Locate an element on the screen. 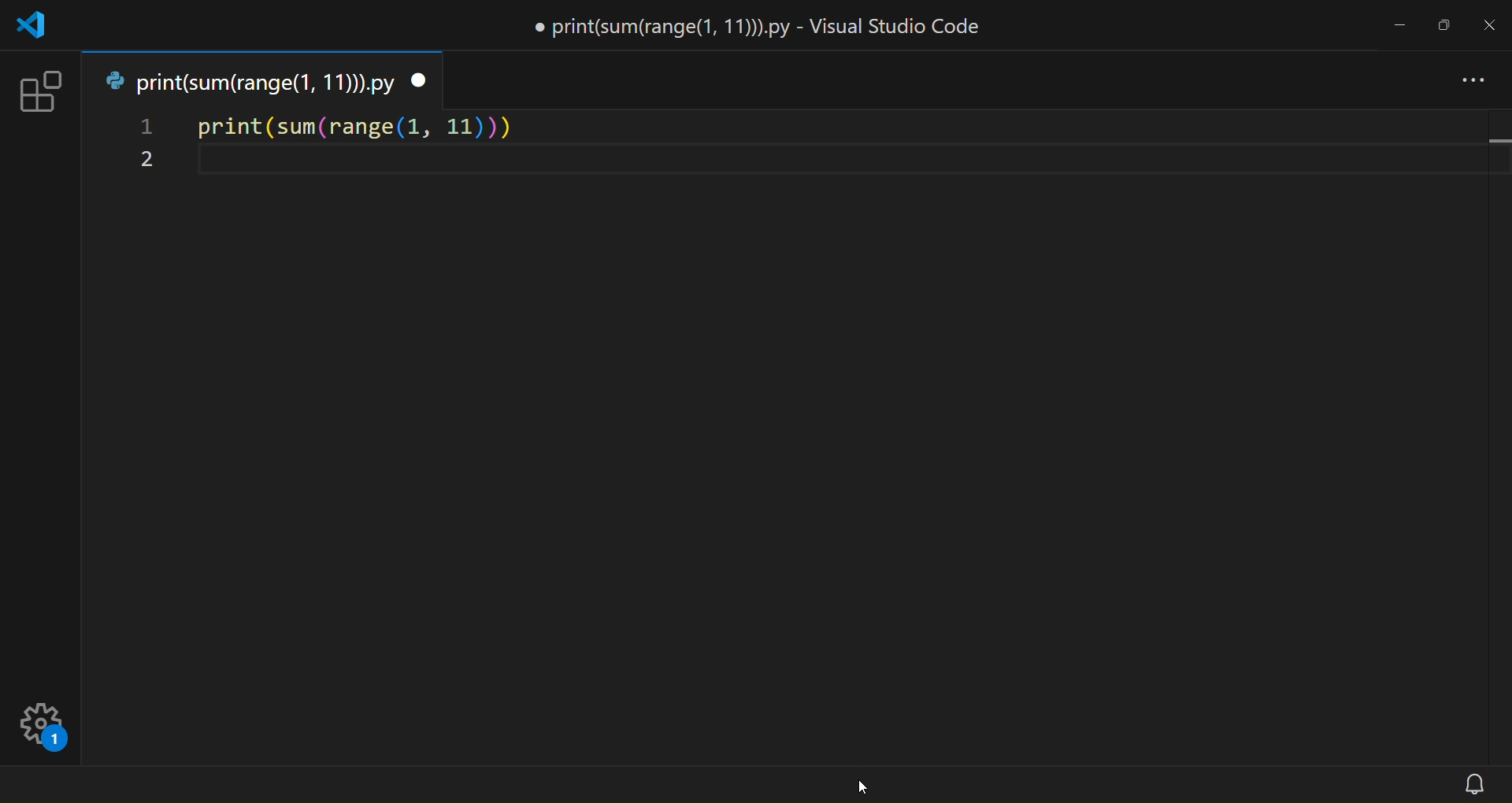  print(sum(range(1, 11))) is located at coordinates (355, 124).